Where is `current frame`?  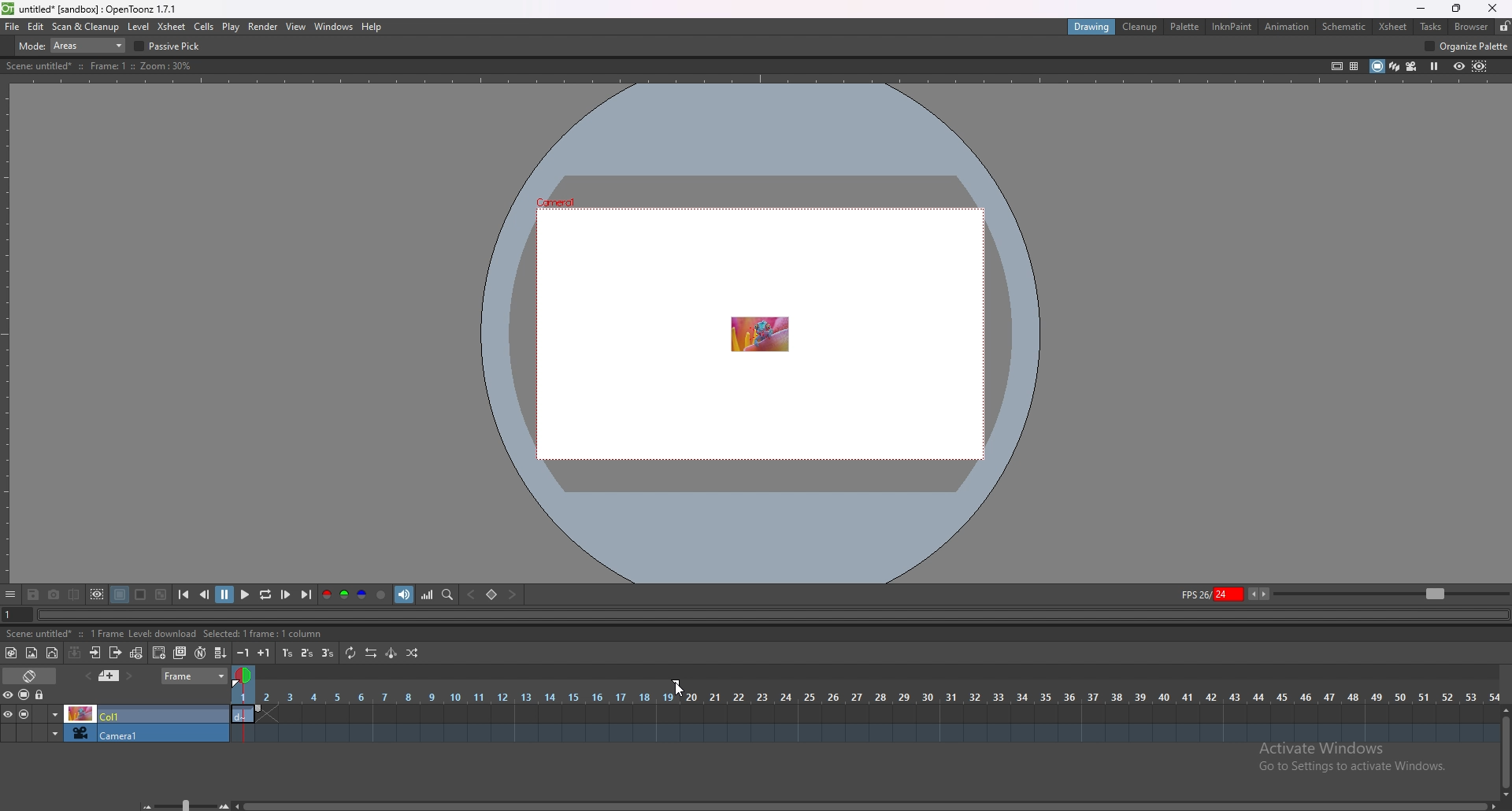 current frame is located at coordinates (13, 613).